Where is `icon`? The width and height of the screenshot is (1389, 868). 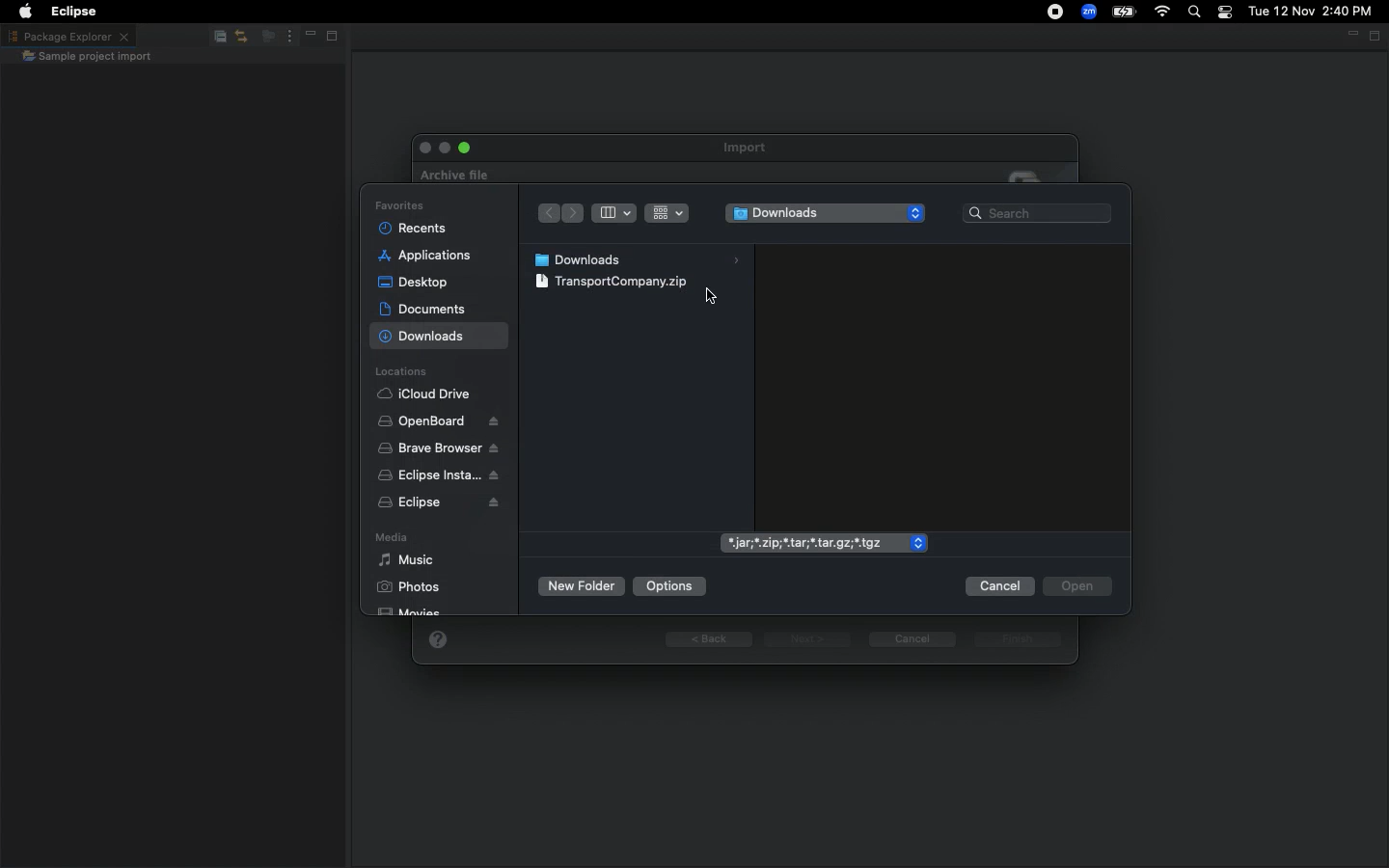 icon is located at coordinates (1030, 175).